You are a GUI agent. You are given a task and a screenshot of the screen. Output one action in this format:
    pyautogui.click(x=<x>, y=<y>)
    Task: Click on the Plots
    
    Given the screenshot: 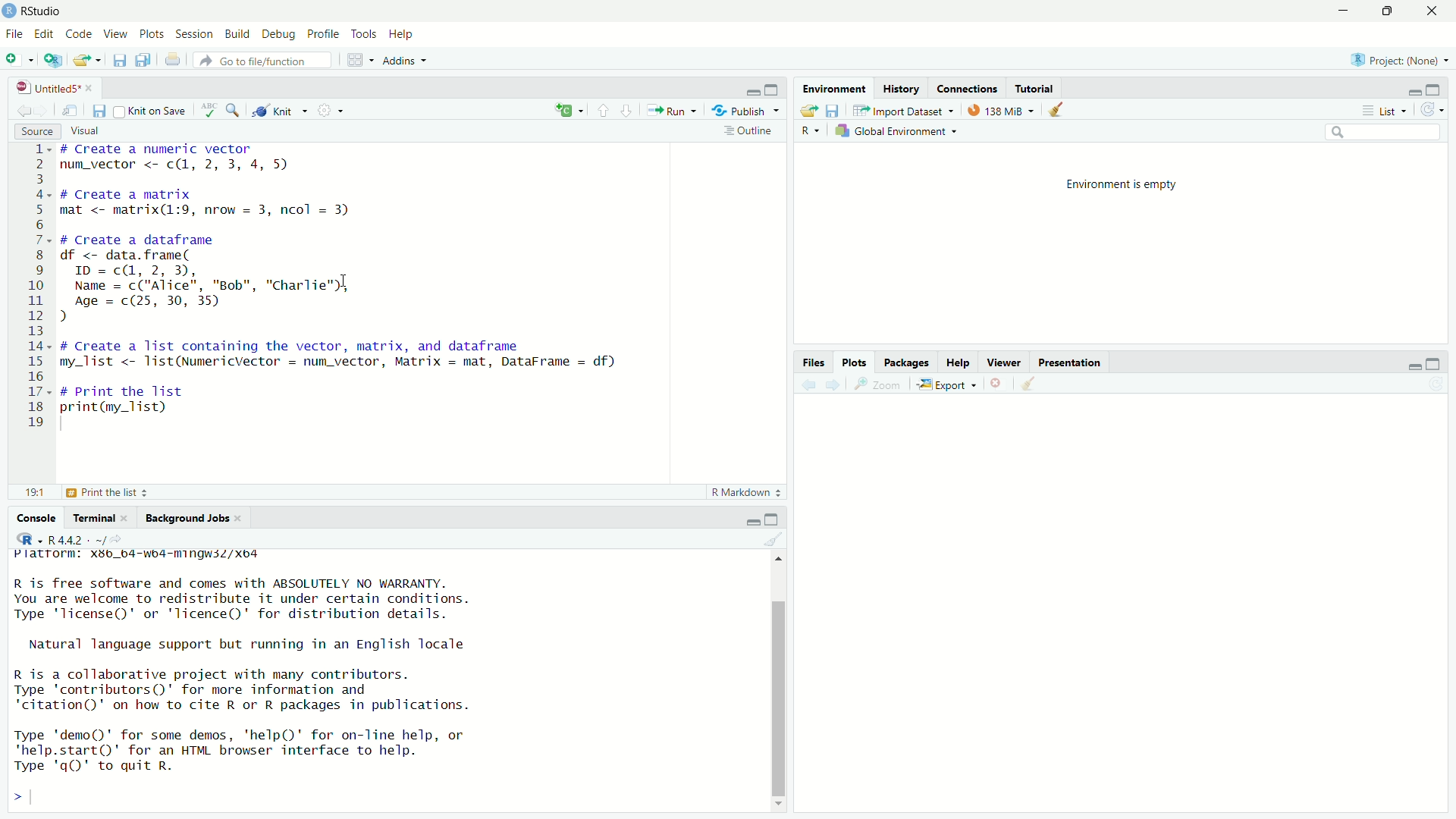 What is the action you would take?
    pyautogui.click(x=152, y=35)
    